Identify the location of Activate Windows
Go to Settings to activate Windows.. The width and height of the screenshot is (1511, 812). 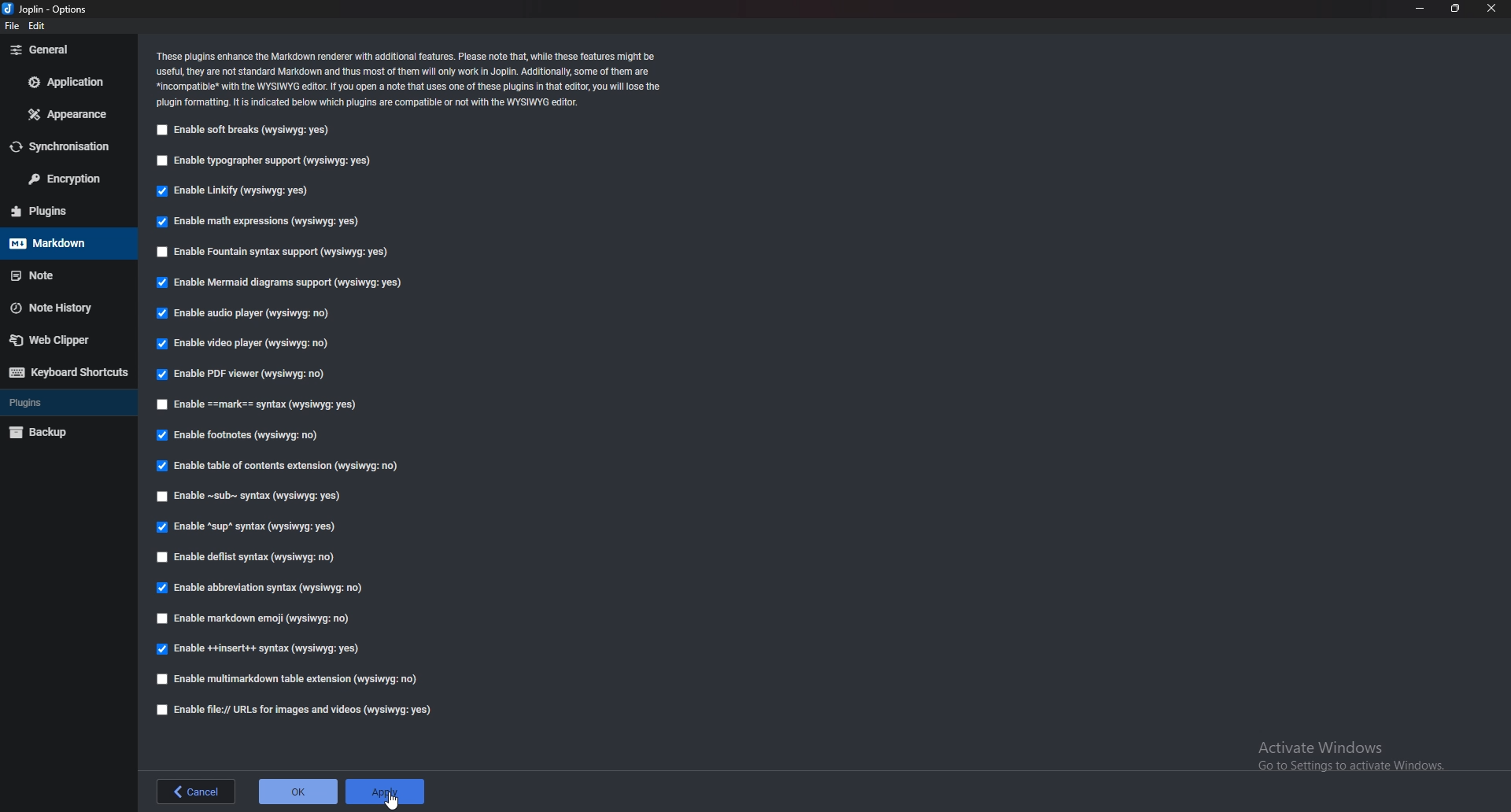
(1350, 751).